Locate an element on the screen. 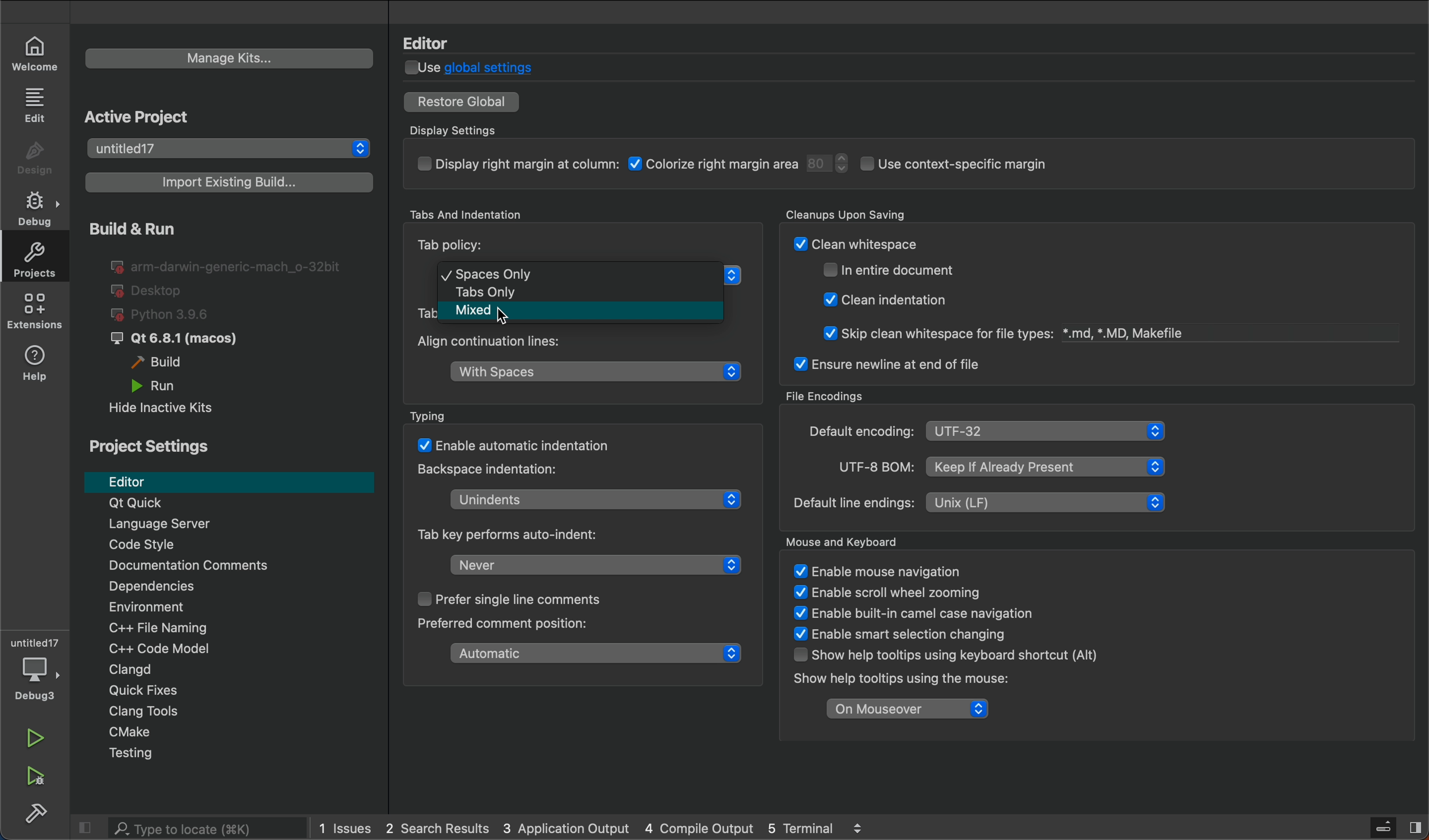 The height and width of the screenshot is (840, 1429). code style is located at coordinates (244, 546).